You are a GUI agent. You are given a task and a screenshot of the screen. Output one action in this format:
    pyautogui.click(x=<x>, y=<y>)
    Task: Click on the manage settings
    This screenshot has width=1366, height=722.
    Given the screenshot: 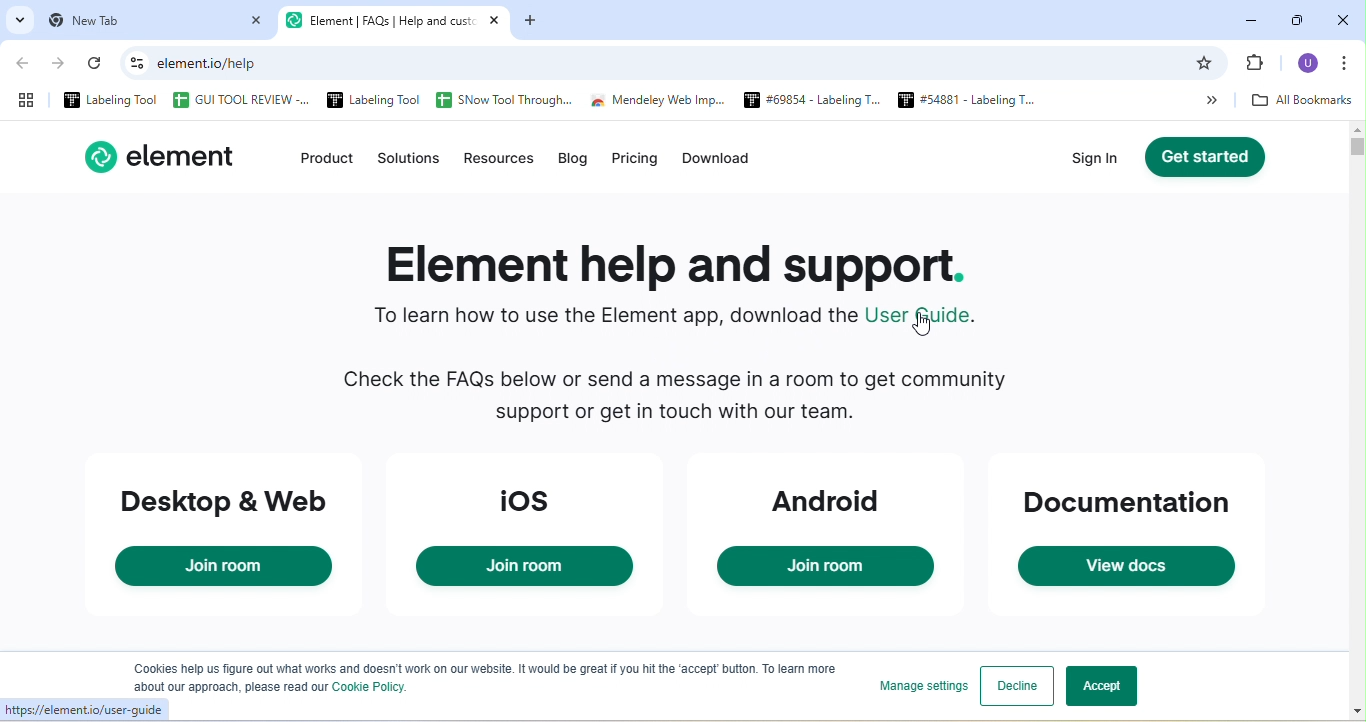 What is the action you would take?
    pyautogui.click(x=918, y=686)
    